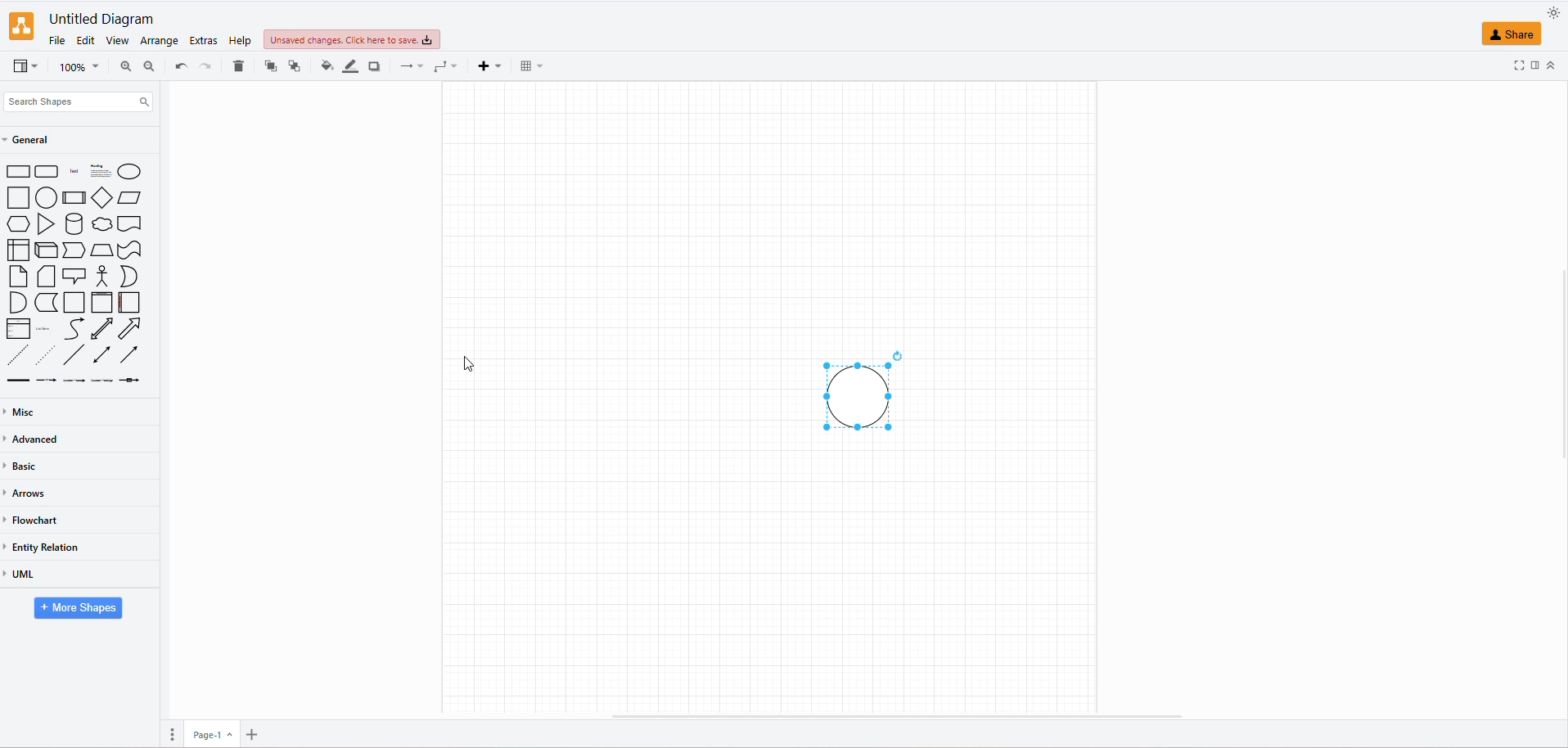 The image size is (1568, 748). I want to click on LIST, so click(19, 329).